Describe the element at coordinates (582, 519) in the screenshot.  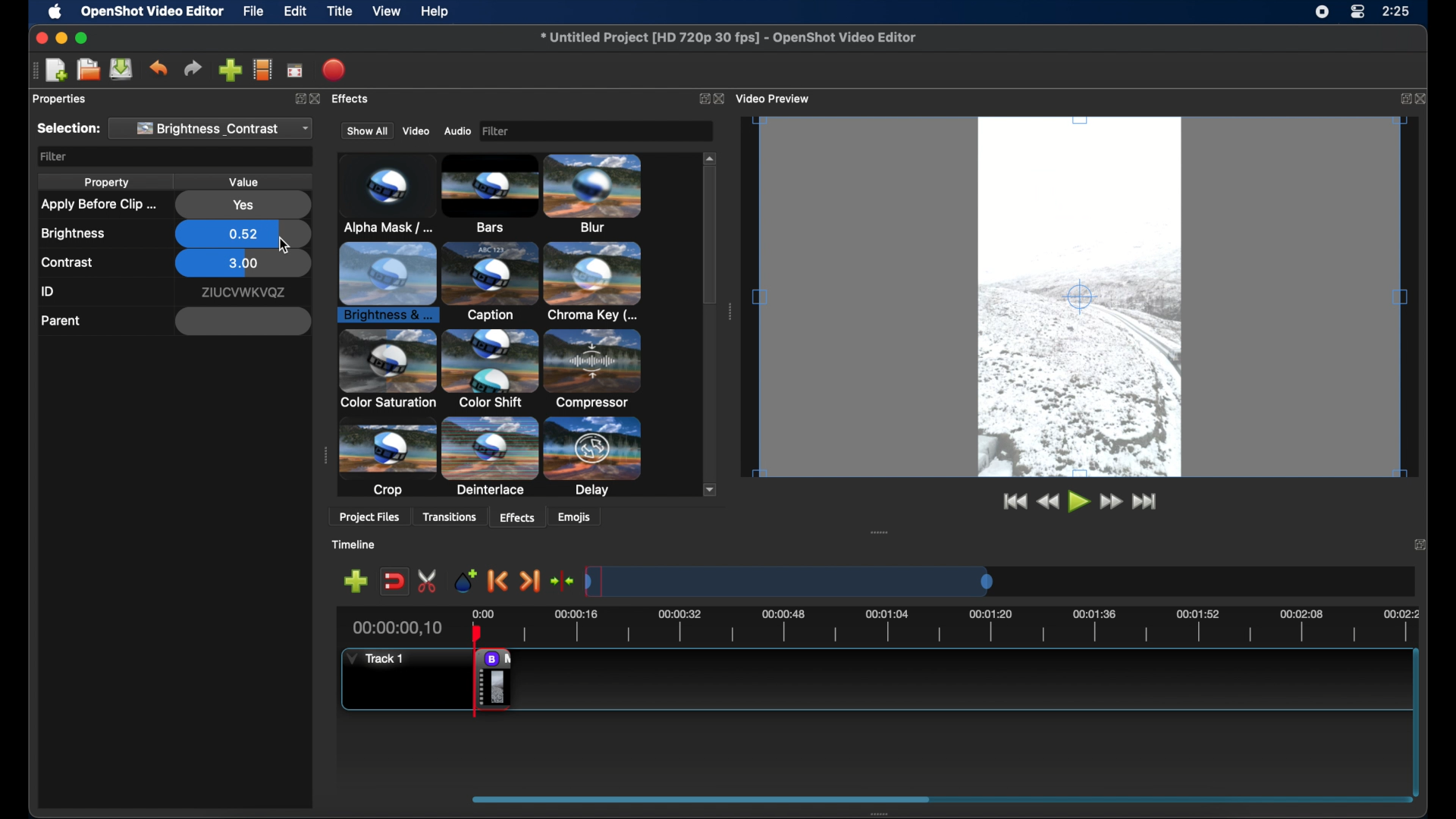
I see `emojis` at that location.